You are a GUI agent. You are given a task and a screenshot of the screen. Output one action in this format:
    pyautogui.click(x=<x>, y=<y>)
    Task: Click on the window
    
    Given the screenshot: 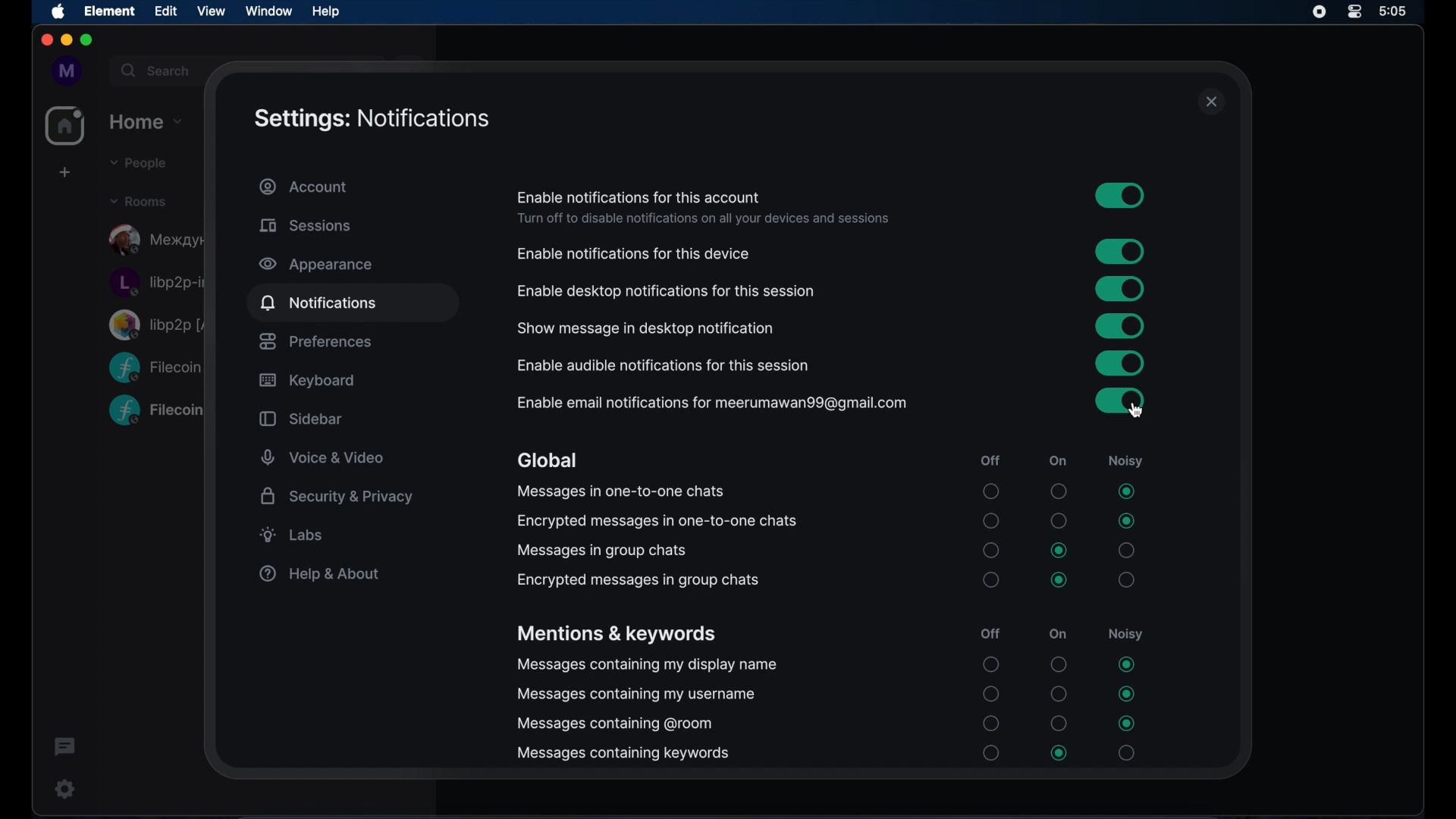 What is the action you would take?
    pyautogui.click(x=268, y=11)
    